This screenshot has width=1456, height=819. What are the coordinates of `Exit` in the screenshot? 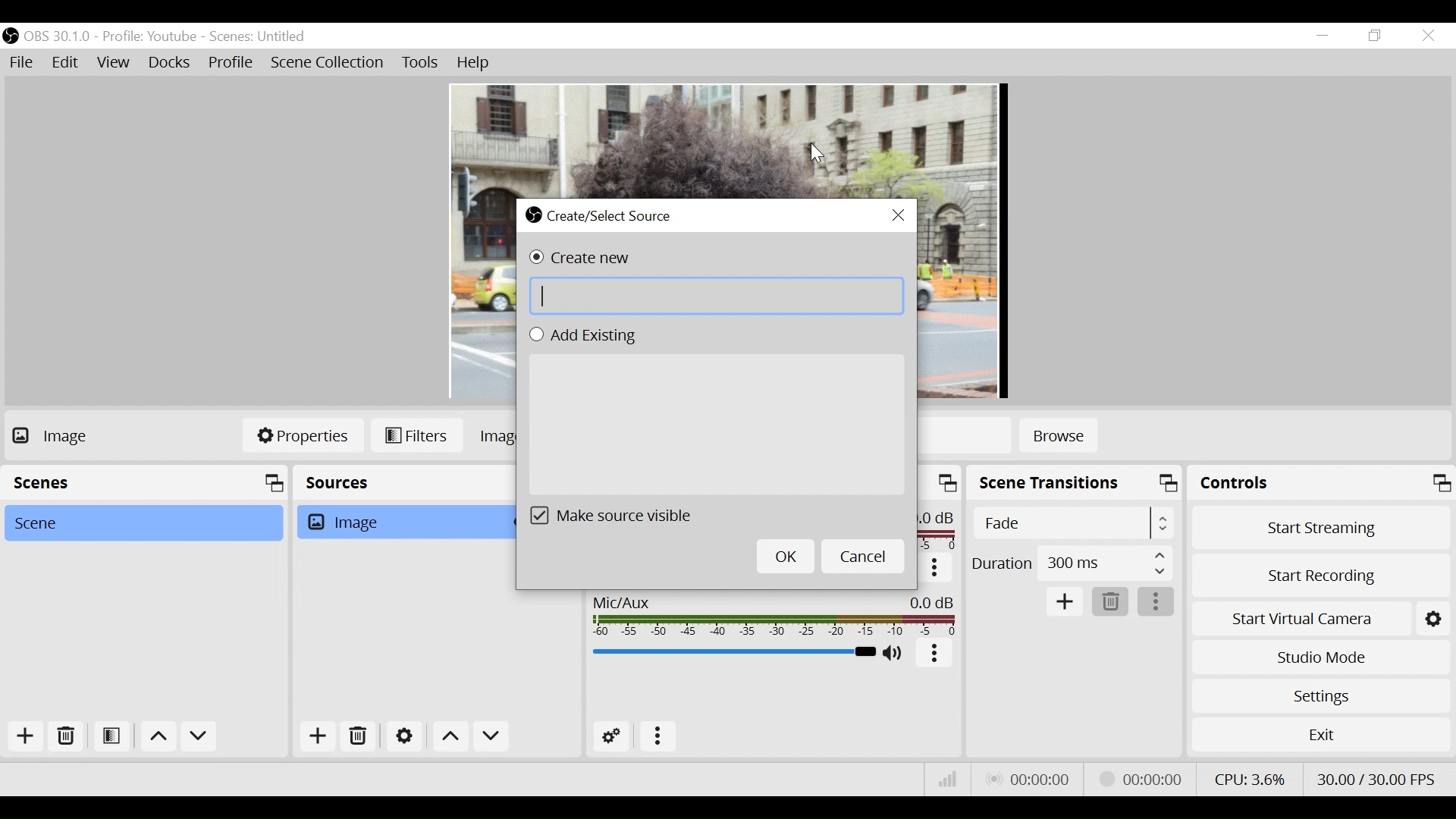 It's located at (1320, 733).